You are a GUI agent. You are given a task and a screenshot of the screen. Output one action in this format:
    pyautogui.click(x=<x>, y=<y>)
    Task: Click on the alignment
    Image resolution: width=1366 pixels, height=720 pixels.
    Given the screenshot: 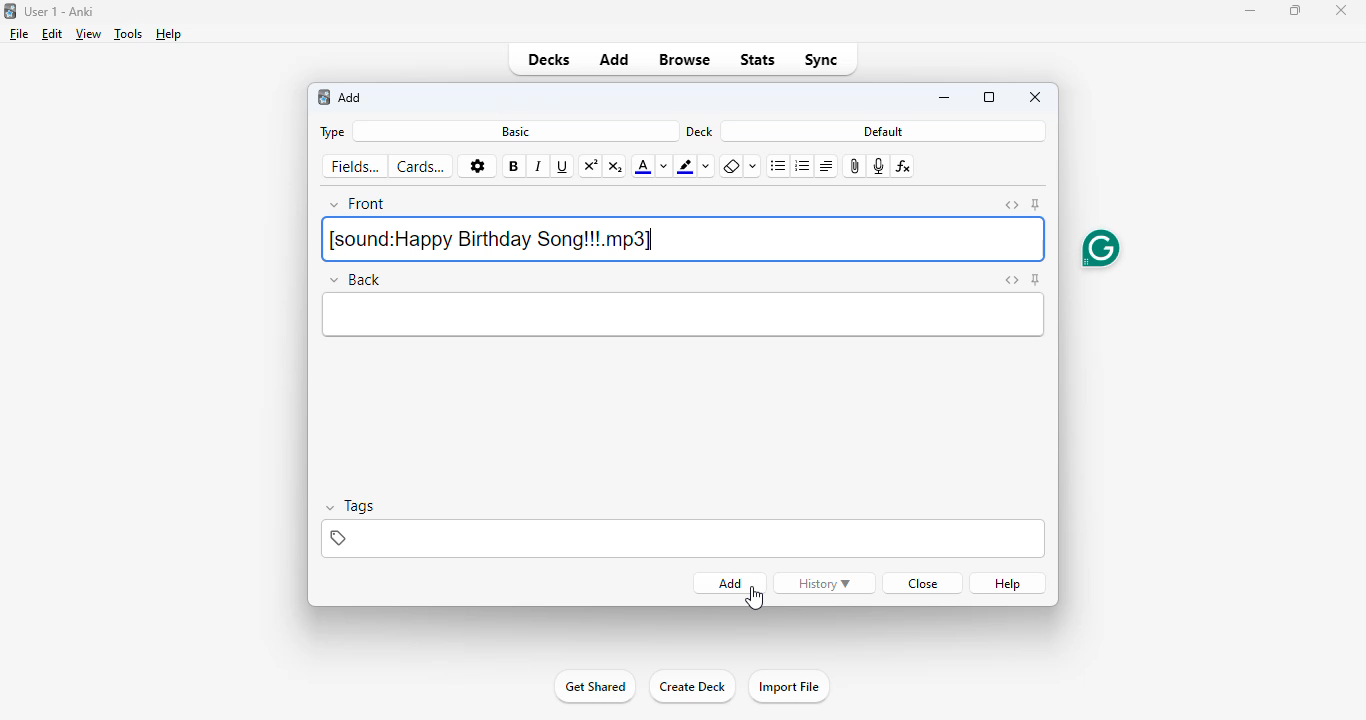 What is the action you would take?
    pyautogui.click(x=826, y=167)
    